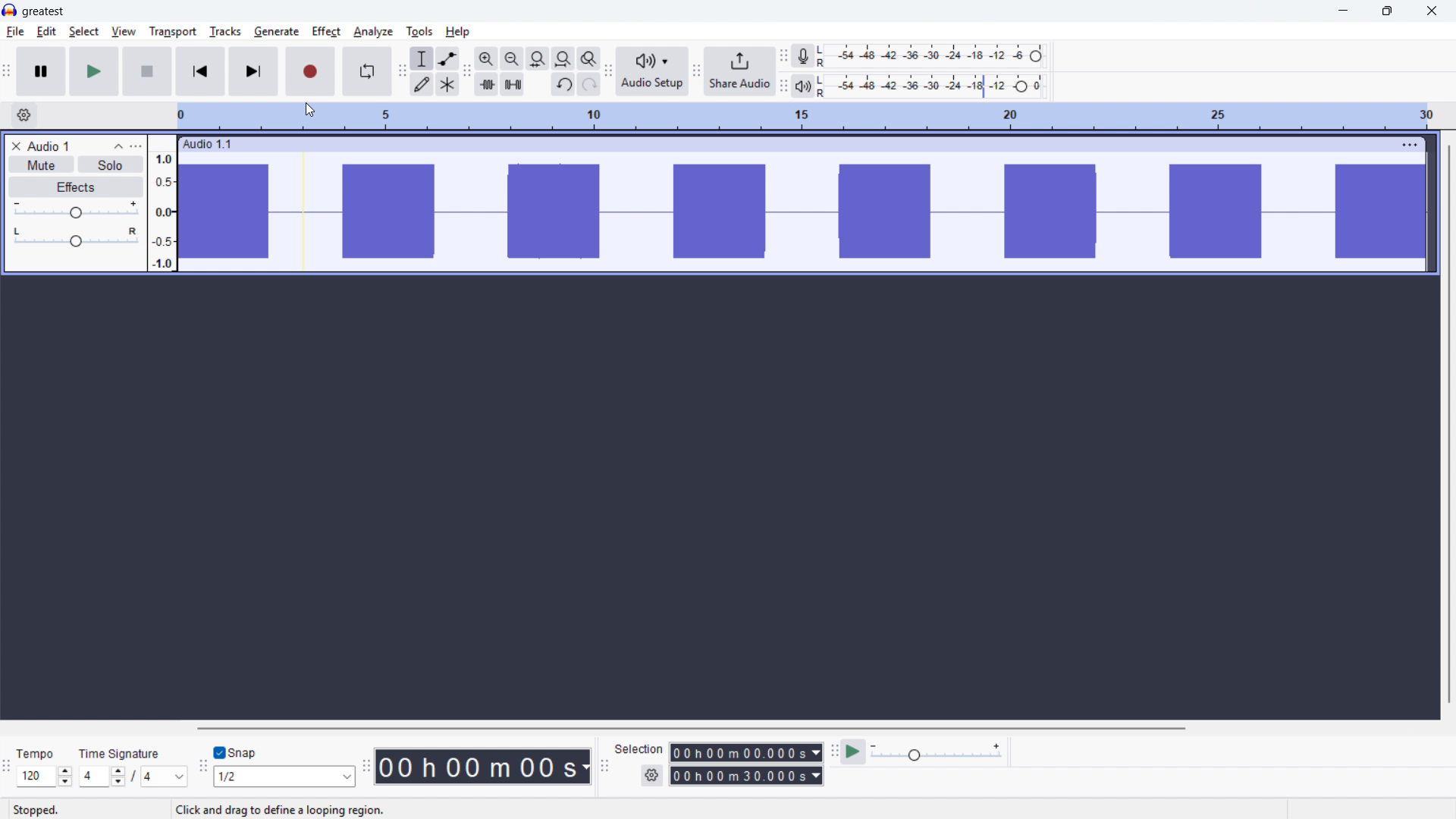 The height and width of the screenshot is (819, 1456). Describe the element at coordinates (1448, 424) in the screenshot. I see `Vertical scroll bar ` at that location.